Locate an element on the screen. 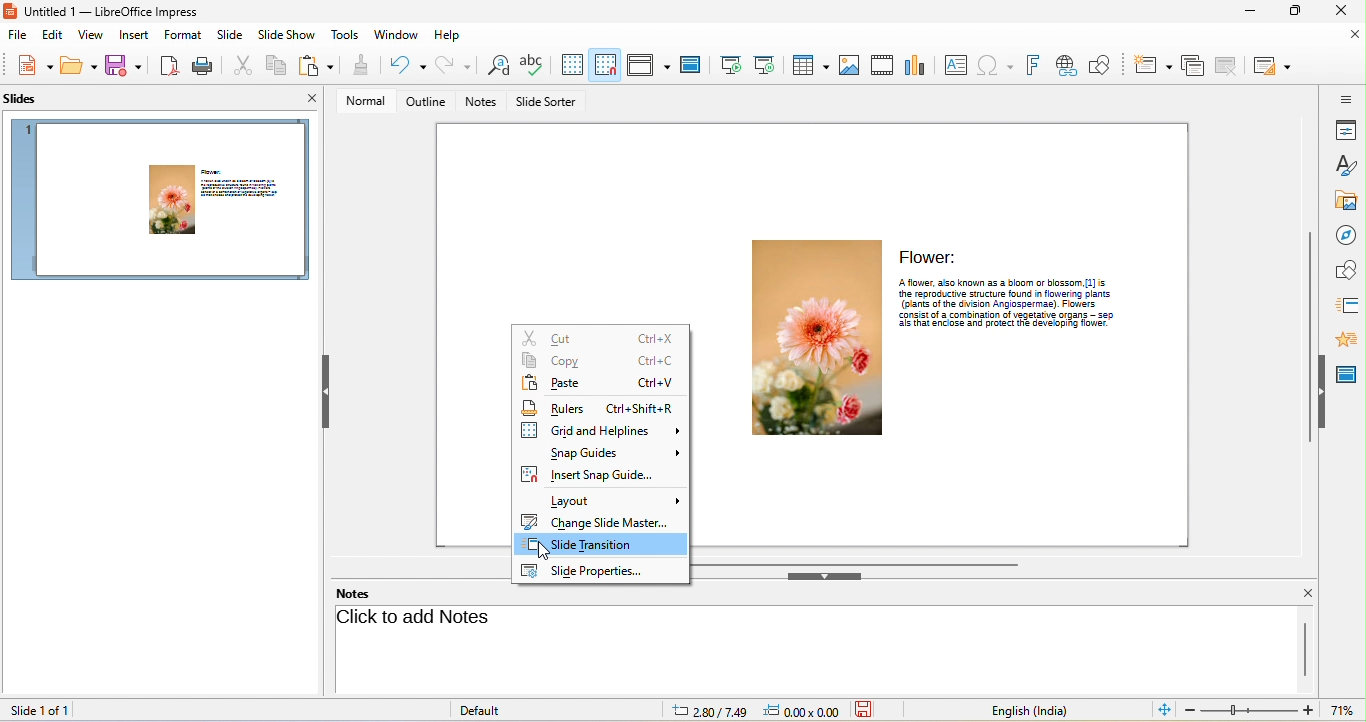 Image resolution: width=1366 pixels, height=722 pixels. gallery is located at coordinates (1348, 198).